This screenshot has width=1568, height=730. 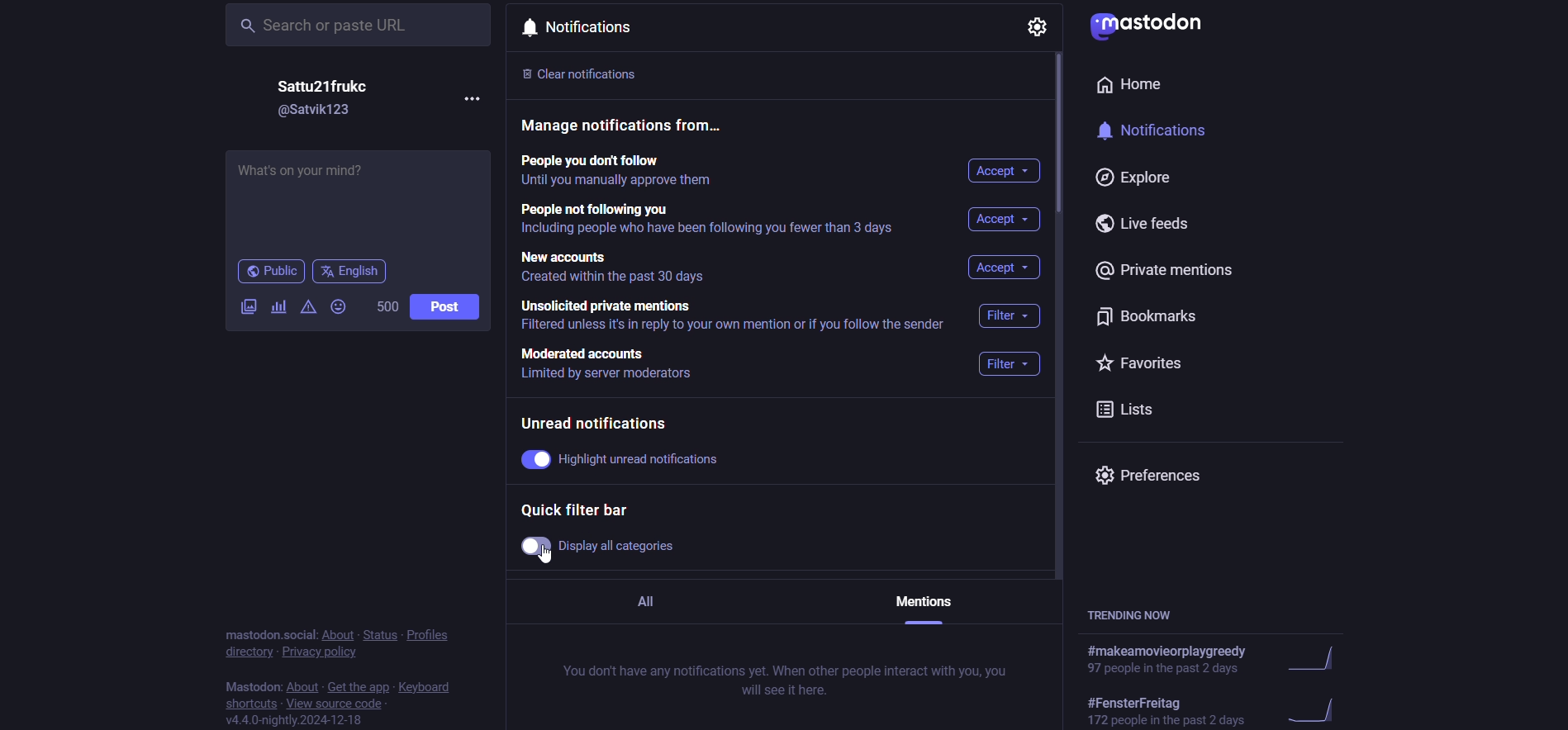 What do you see at coordinates (573, 511) in the screenshot?
I see `Quick filter bar` at bounding box center [573, 511].